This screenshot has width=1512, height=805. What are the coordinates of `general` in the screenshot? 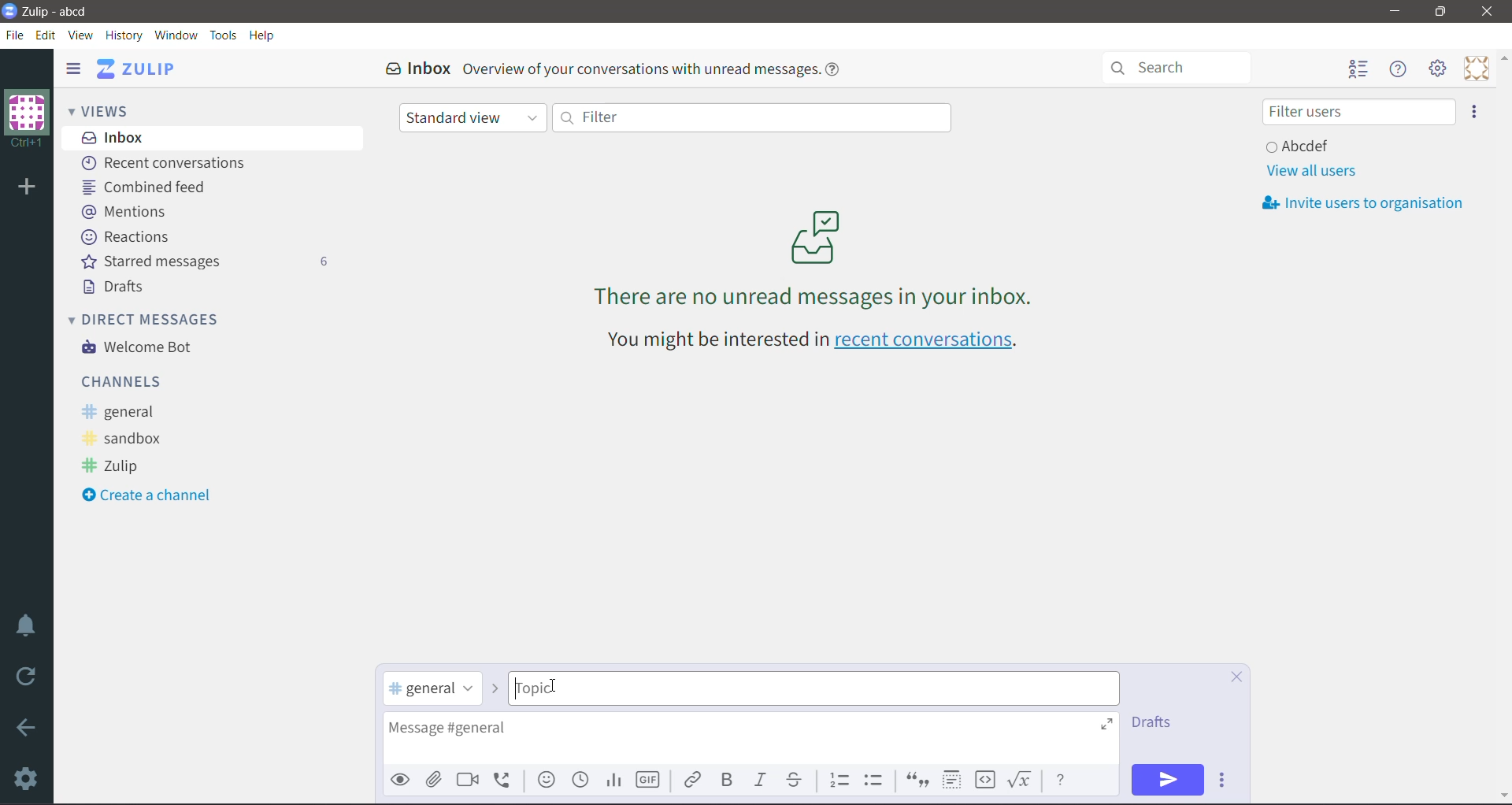 It's located at (124, 412).